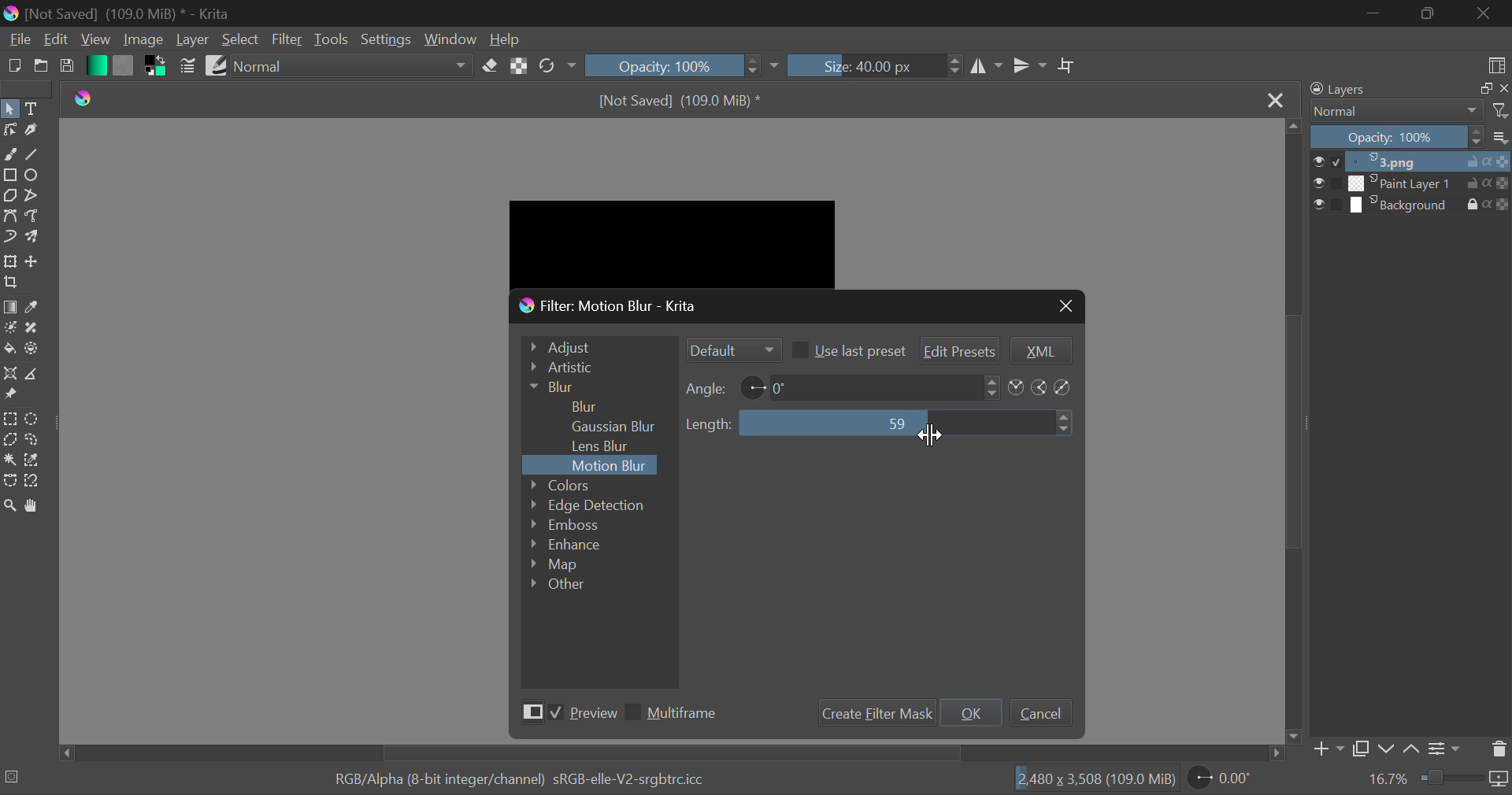 The image size is (1512, 795). I want to click on Cursor, so click(932, 438).